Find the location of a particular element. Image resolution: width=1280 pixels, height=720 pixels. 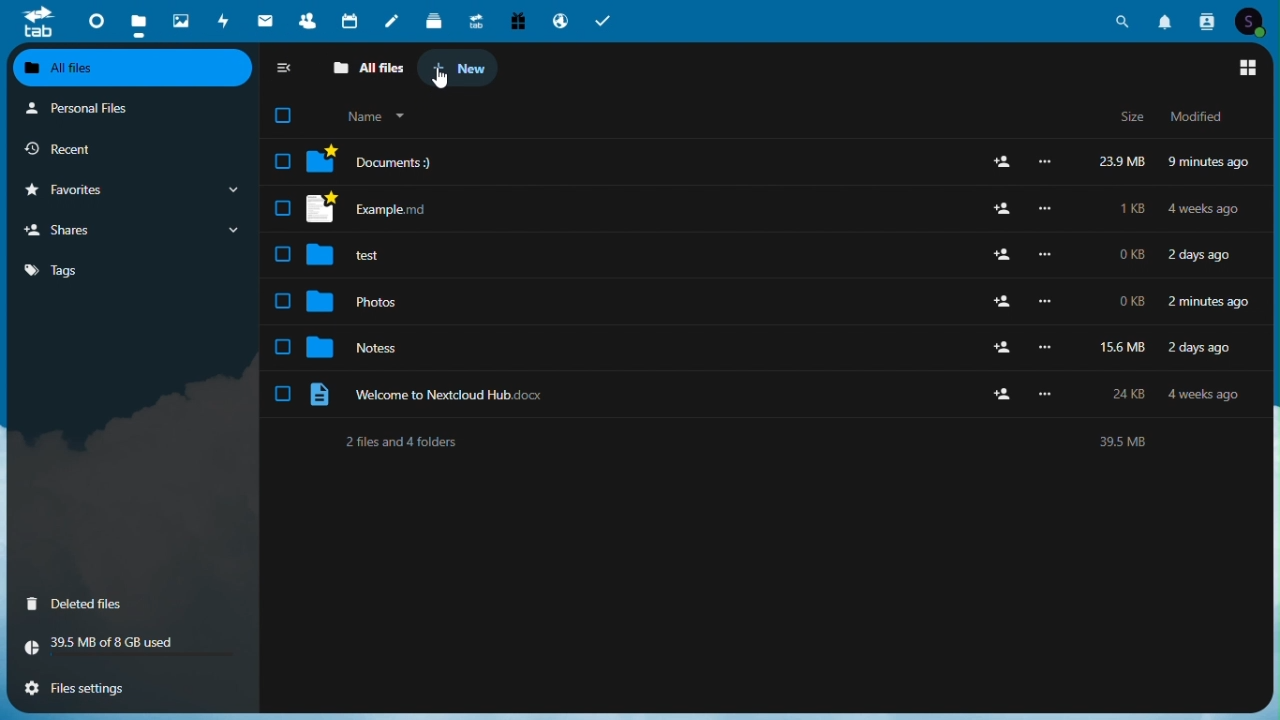

Modified is located at coordinates (1191, 116).